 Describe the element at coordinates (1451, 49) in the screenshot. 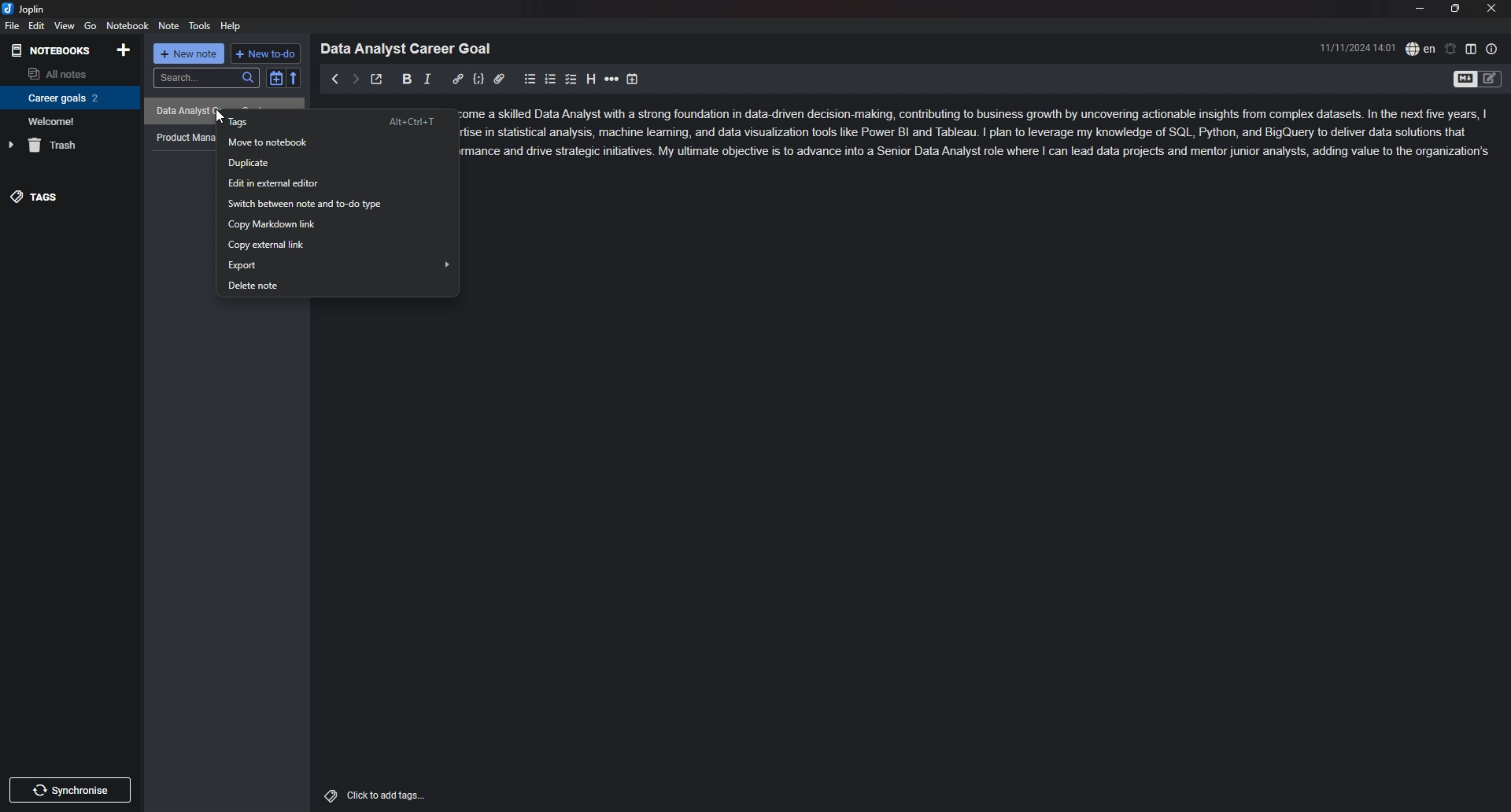

I see `set alarm` at that location.